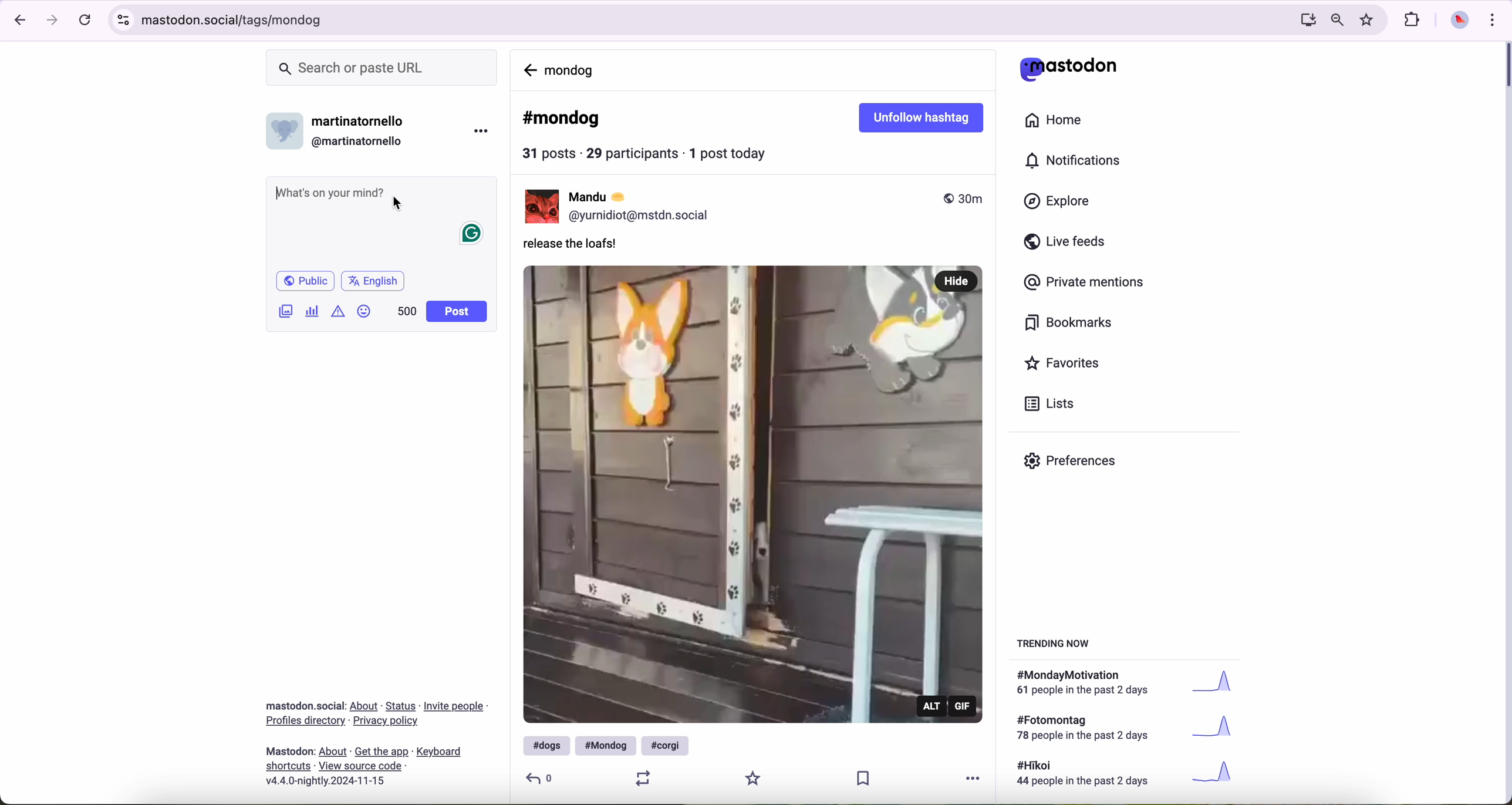 This screenshot has height=805, width=1512. Describe the element at coordinates (307, 282) in the screenshot. I see `Public` at that location.